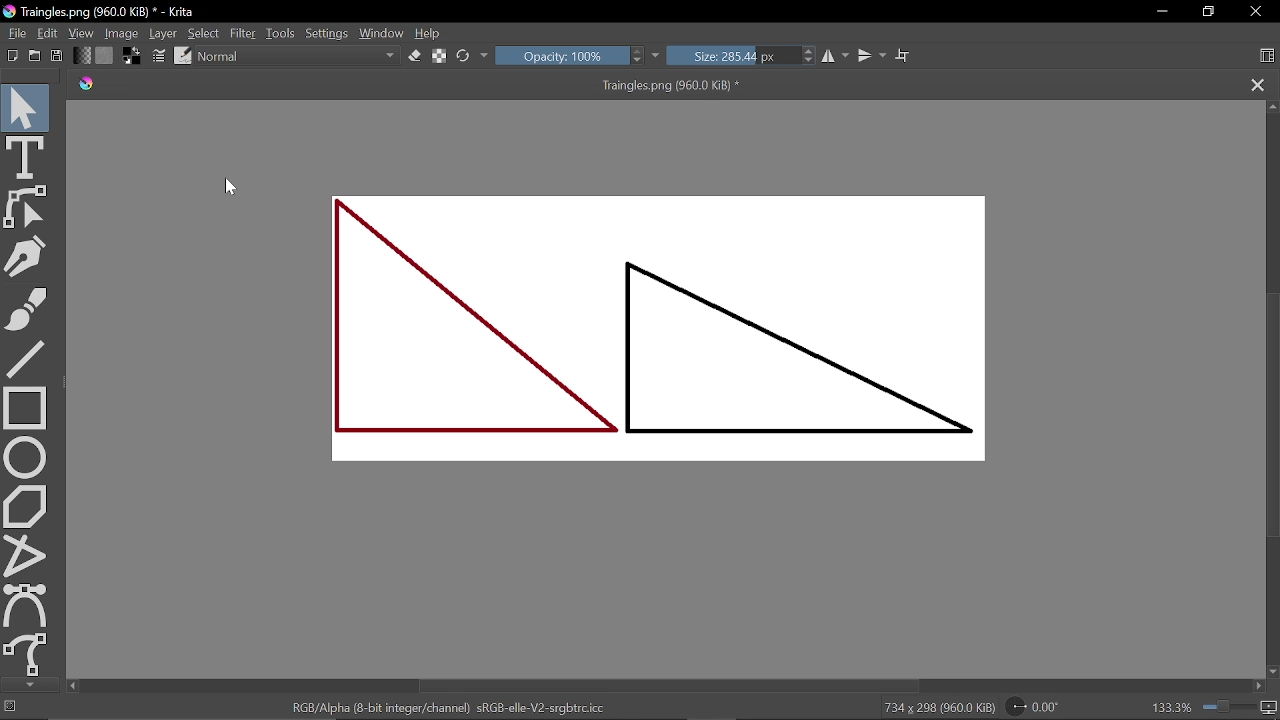 This screenshot has width=1280, height=720. What do you see at coordinates (1160, 11) in the screenshot?
I see `Minimize` at bounding box center [1160, 11].